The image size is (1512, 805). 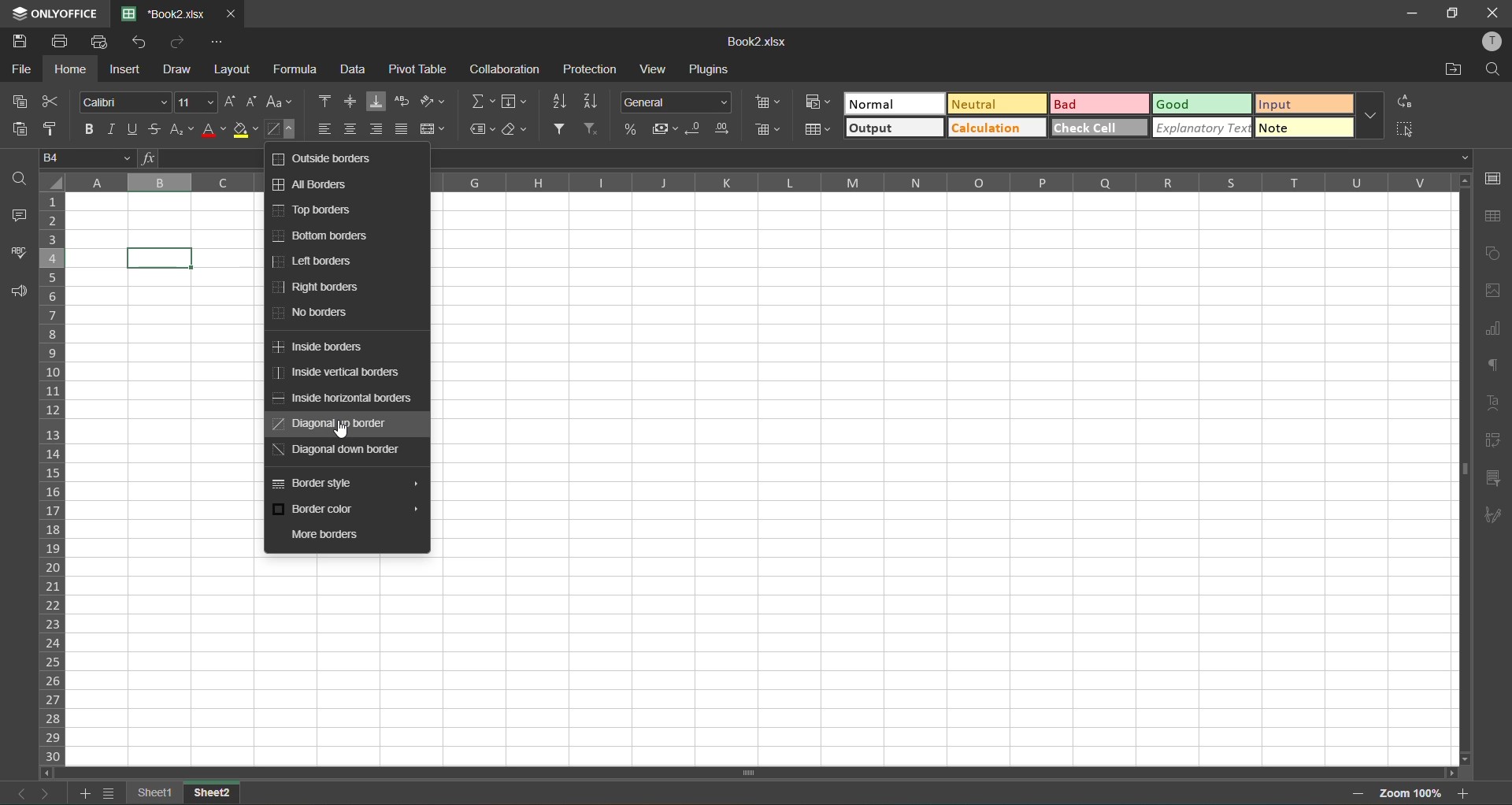 I want to click on good, so click(x=1201, y=106).